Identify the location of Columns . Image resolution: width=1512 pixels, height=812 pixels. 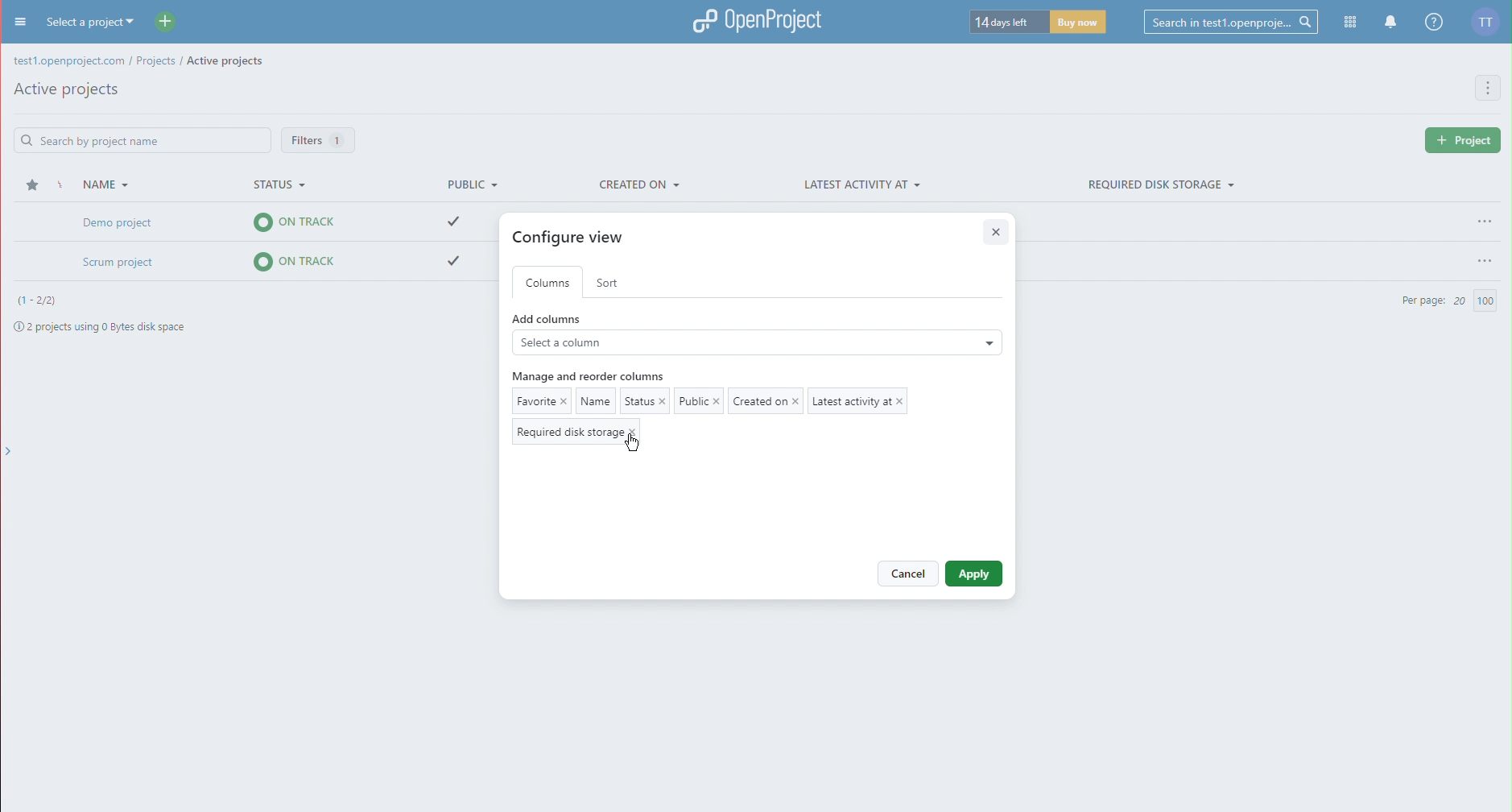
(552, 282).